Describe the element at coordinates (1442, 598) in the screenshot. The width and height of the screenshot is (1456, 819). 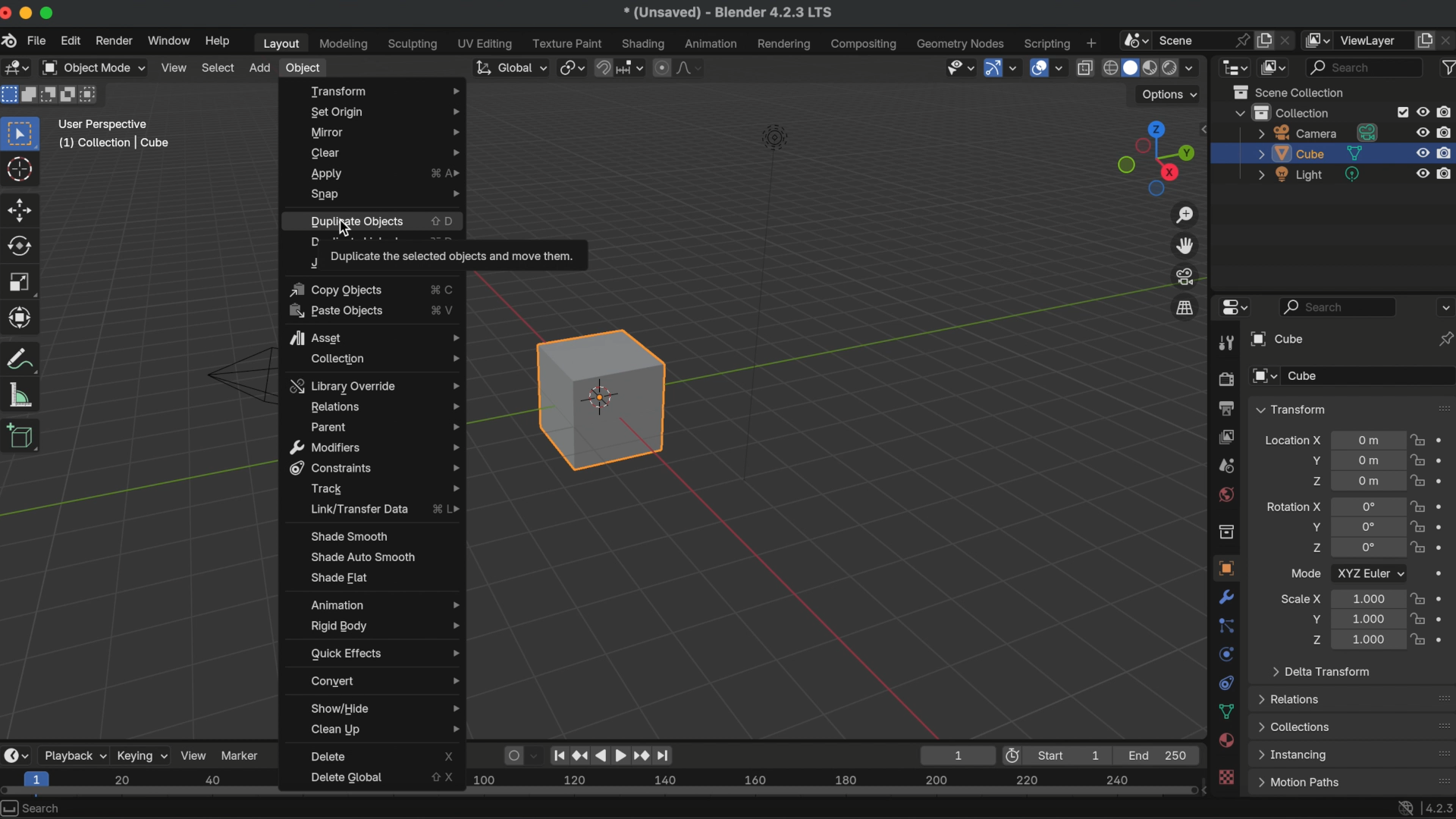
I see `animate property` at that location.